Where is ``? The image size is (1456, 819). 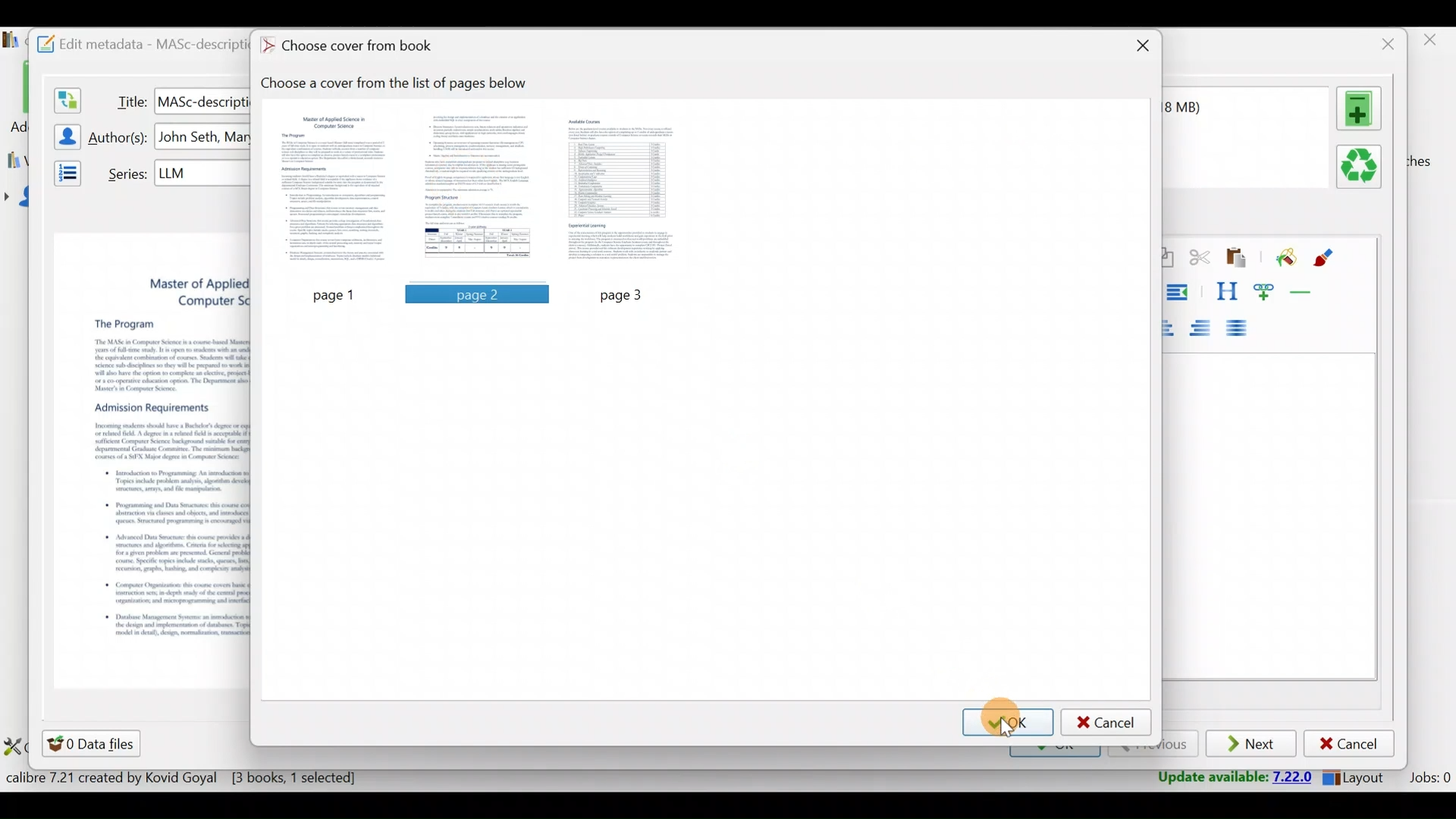  is located at coordinates (628, 293).